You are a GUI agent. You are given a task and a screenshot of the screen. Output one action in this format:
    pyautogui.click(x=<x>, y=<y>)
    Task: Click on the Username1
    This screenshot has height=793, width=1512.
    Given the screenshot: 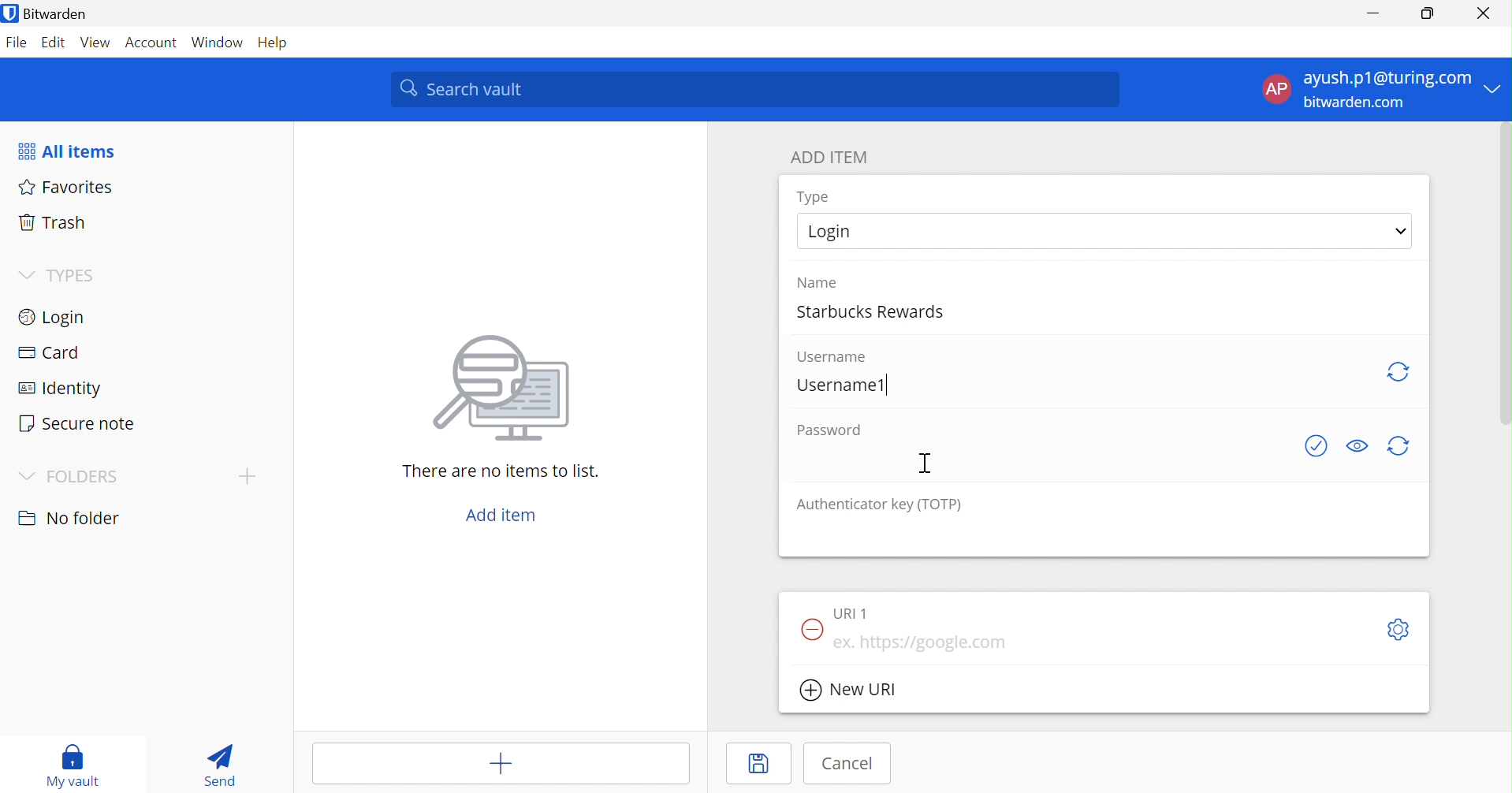 What is the action you would take?
    pyautogui.click(x=843, y=384)
    